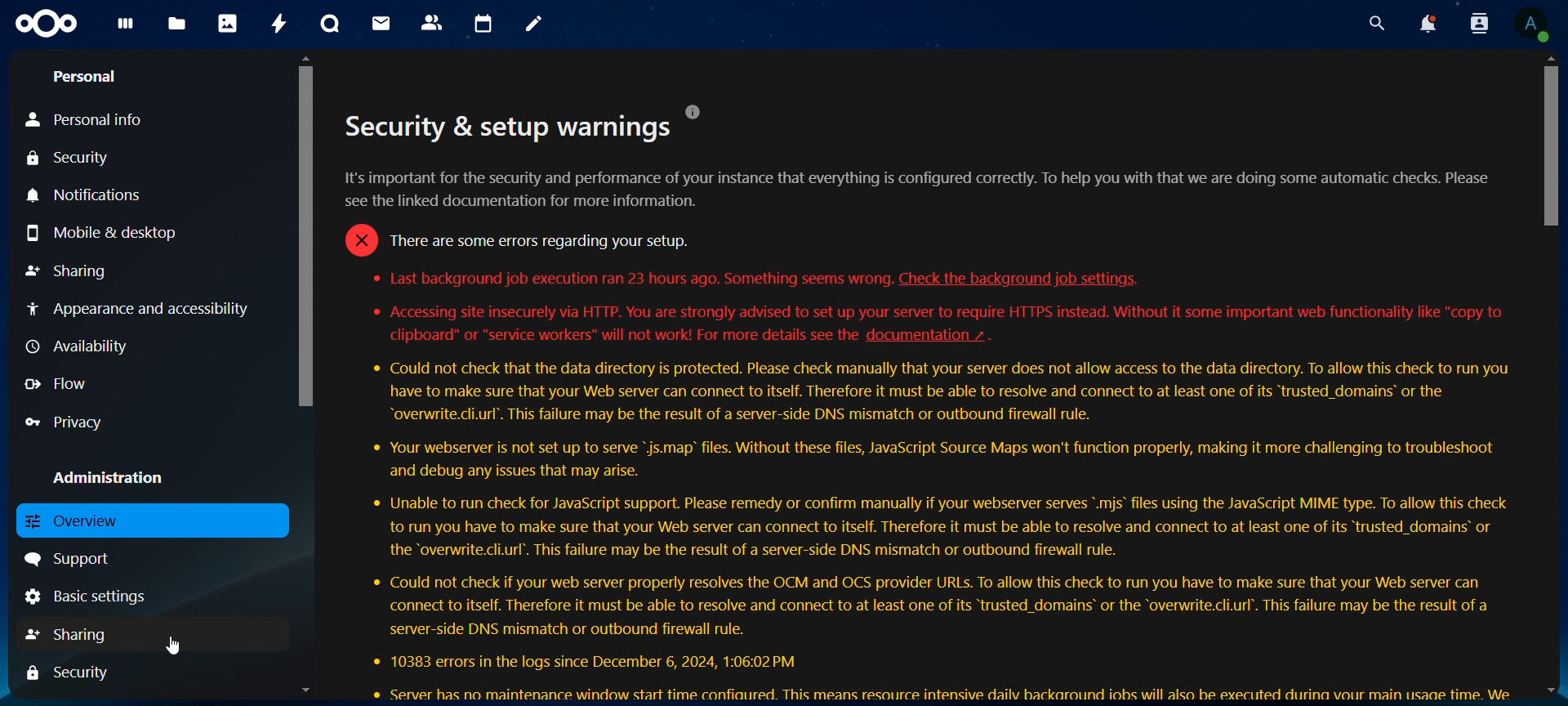 The height and width of the screenshot is (706, 1568). I want to click on privacy, so click(68, 422).